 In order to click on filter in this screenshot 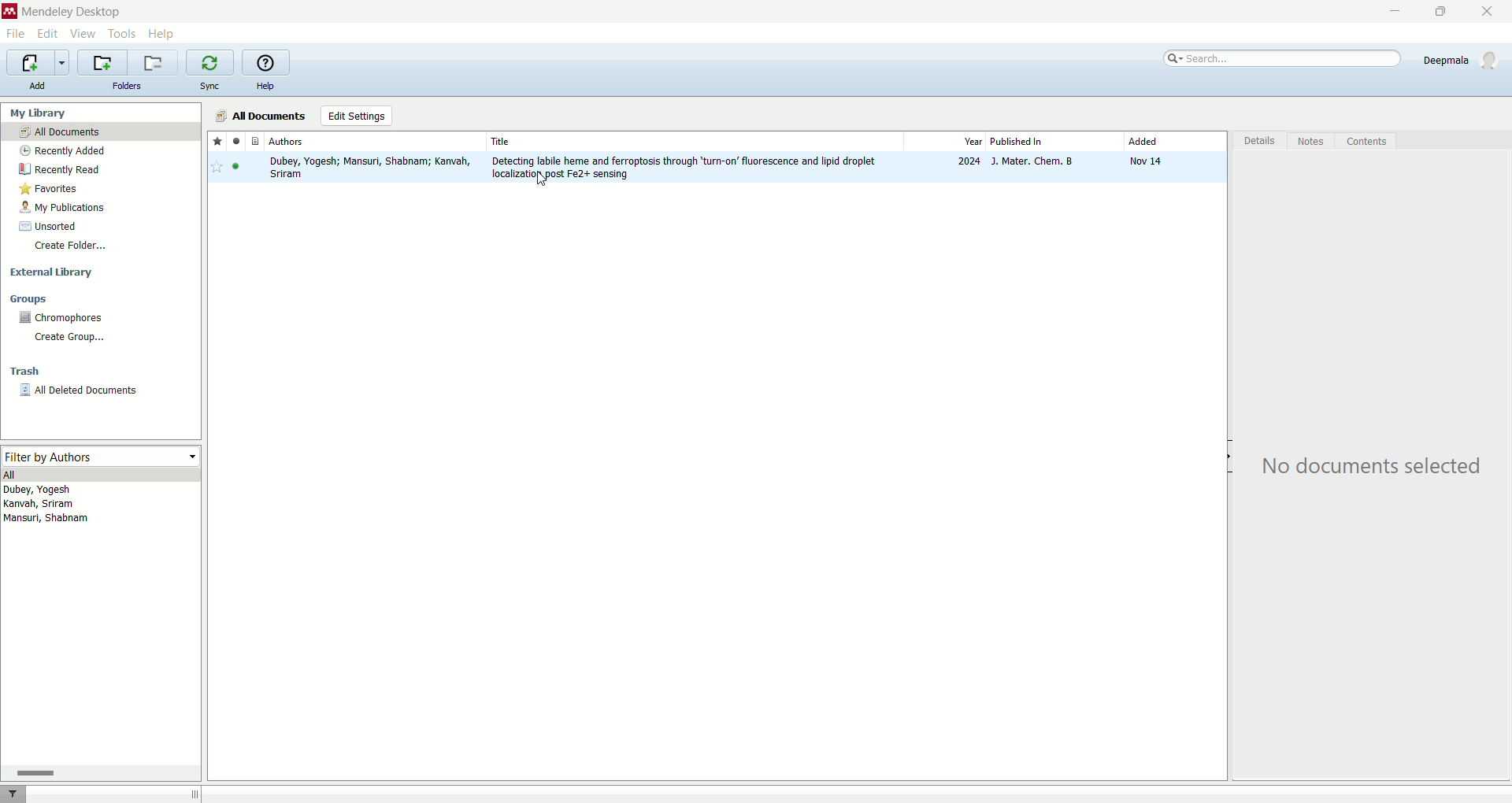, I will do `click(14, 794)`.